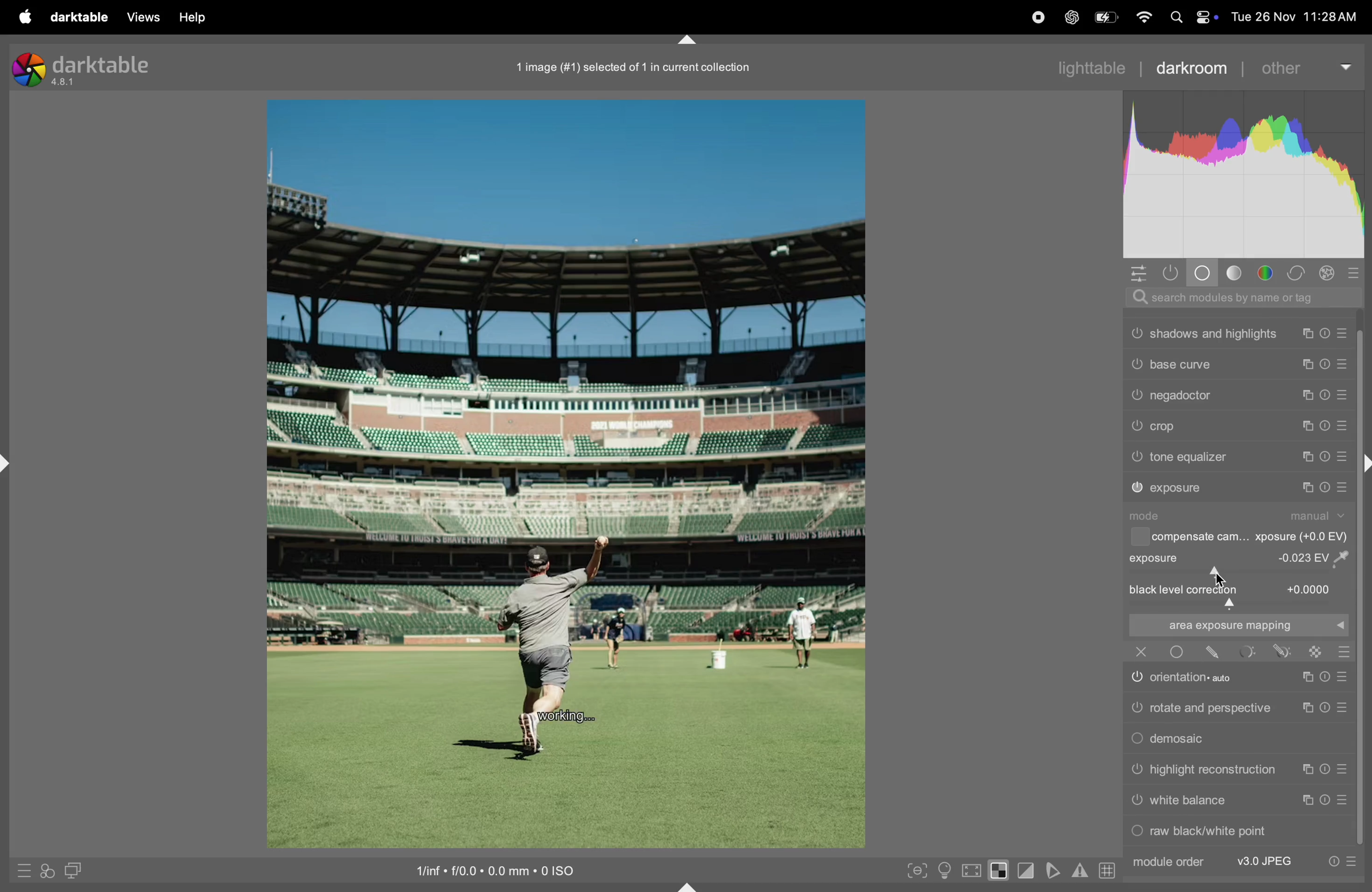 The width and height of the screenshot is (1372, 892). What do you see at coordinates (1345, 652) in the screenshot?
I see `Preset` at bounding box center [1345, 652].